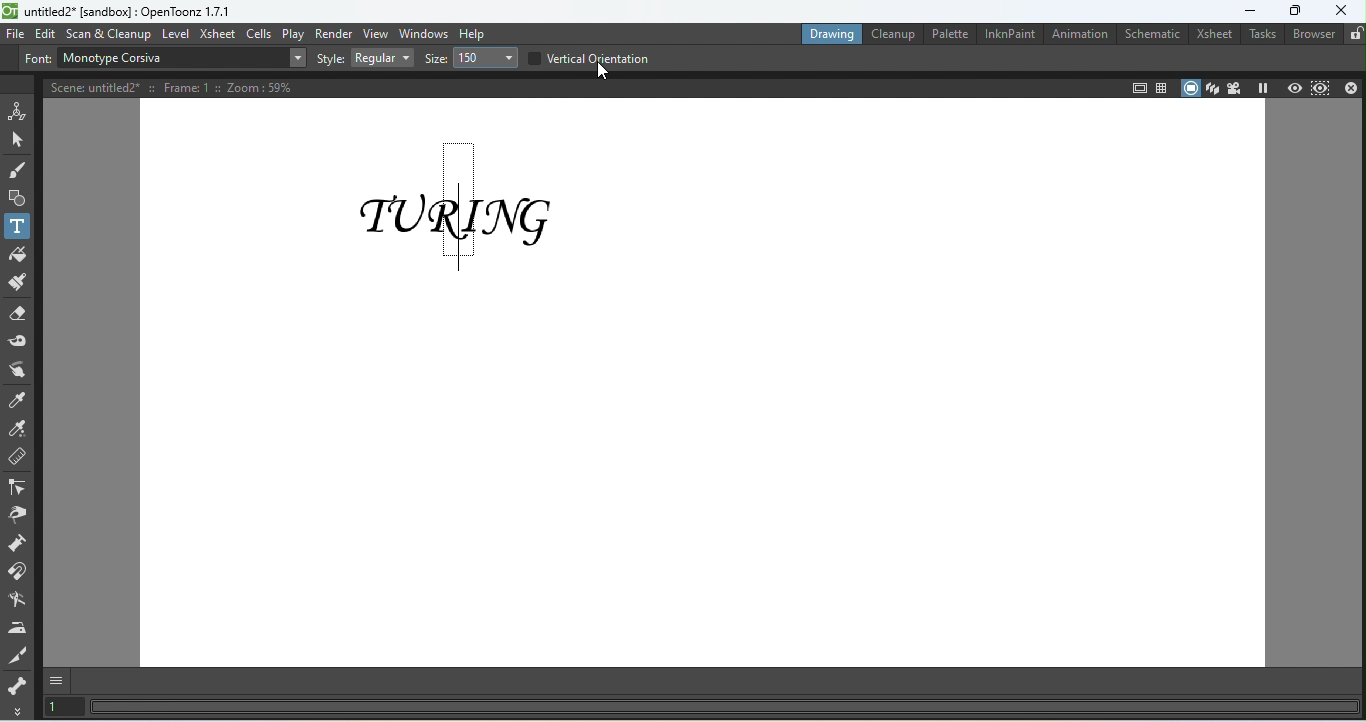 Image resolution: width=1366 pixels, height=722 pixels. What do you see at coordinates (1240, 10) in the screenshot?
I see `Minimize` at bounding box center [1240, 10].